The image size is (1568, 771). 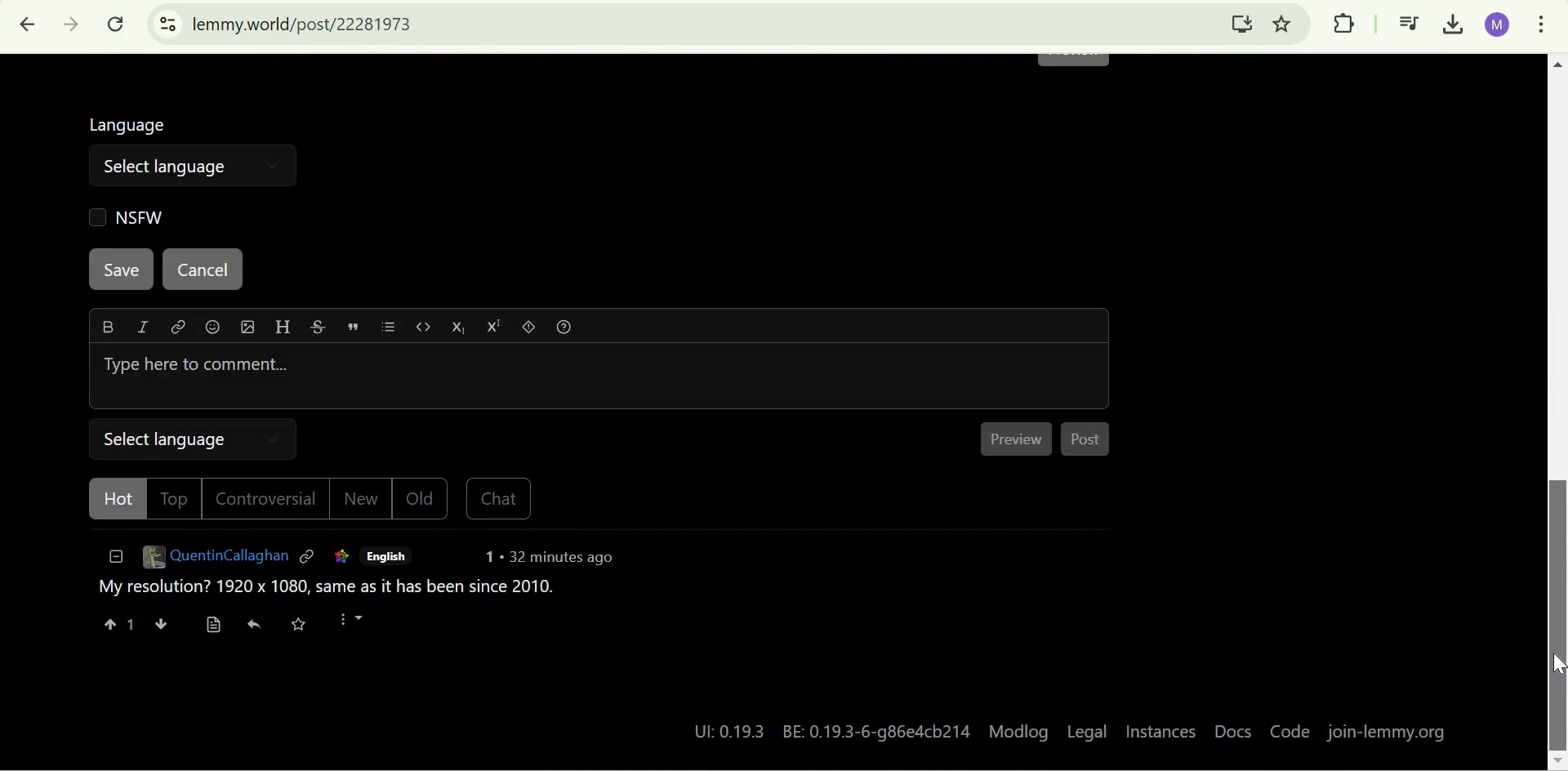 I want to click on Control your music, videos, and more, so click(x=1410, y=25).